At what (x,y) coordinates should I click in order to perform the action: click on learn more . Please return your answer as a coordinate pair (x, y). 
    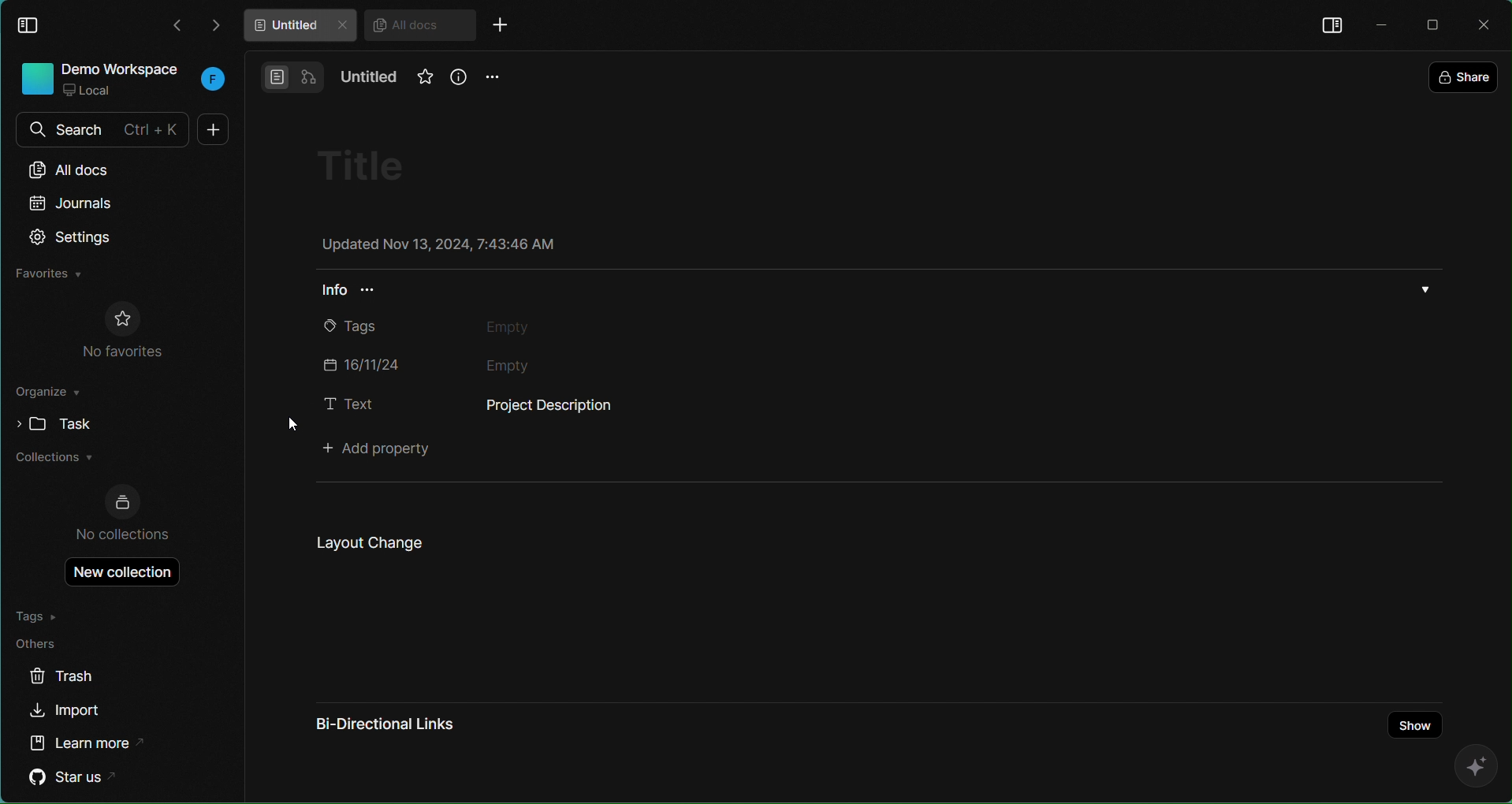
    Looking at the image, I should click on (89, 741).